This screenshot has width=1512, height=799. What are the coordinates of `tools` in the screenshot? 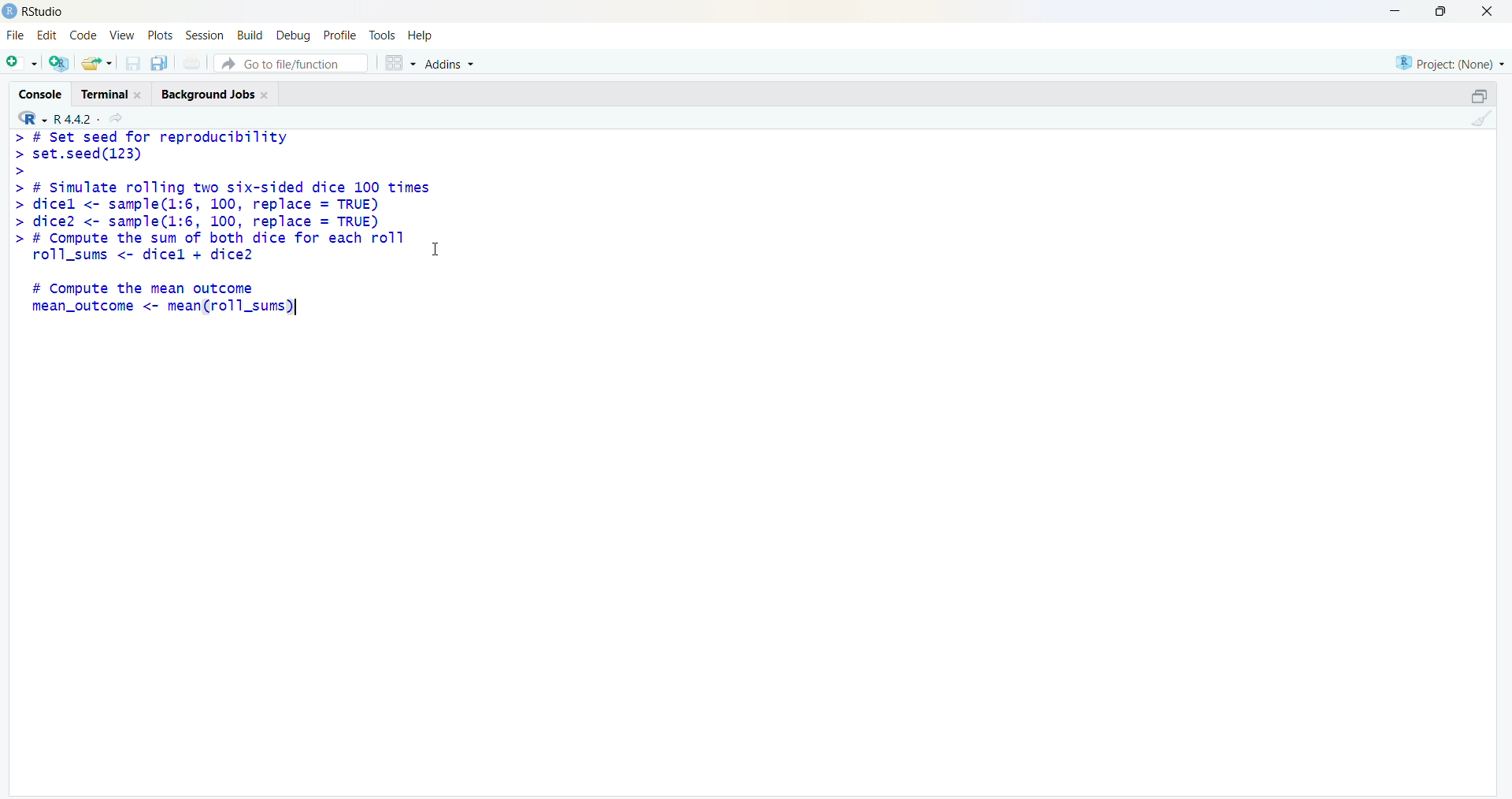 It's located at (383, 36).